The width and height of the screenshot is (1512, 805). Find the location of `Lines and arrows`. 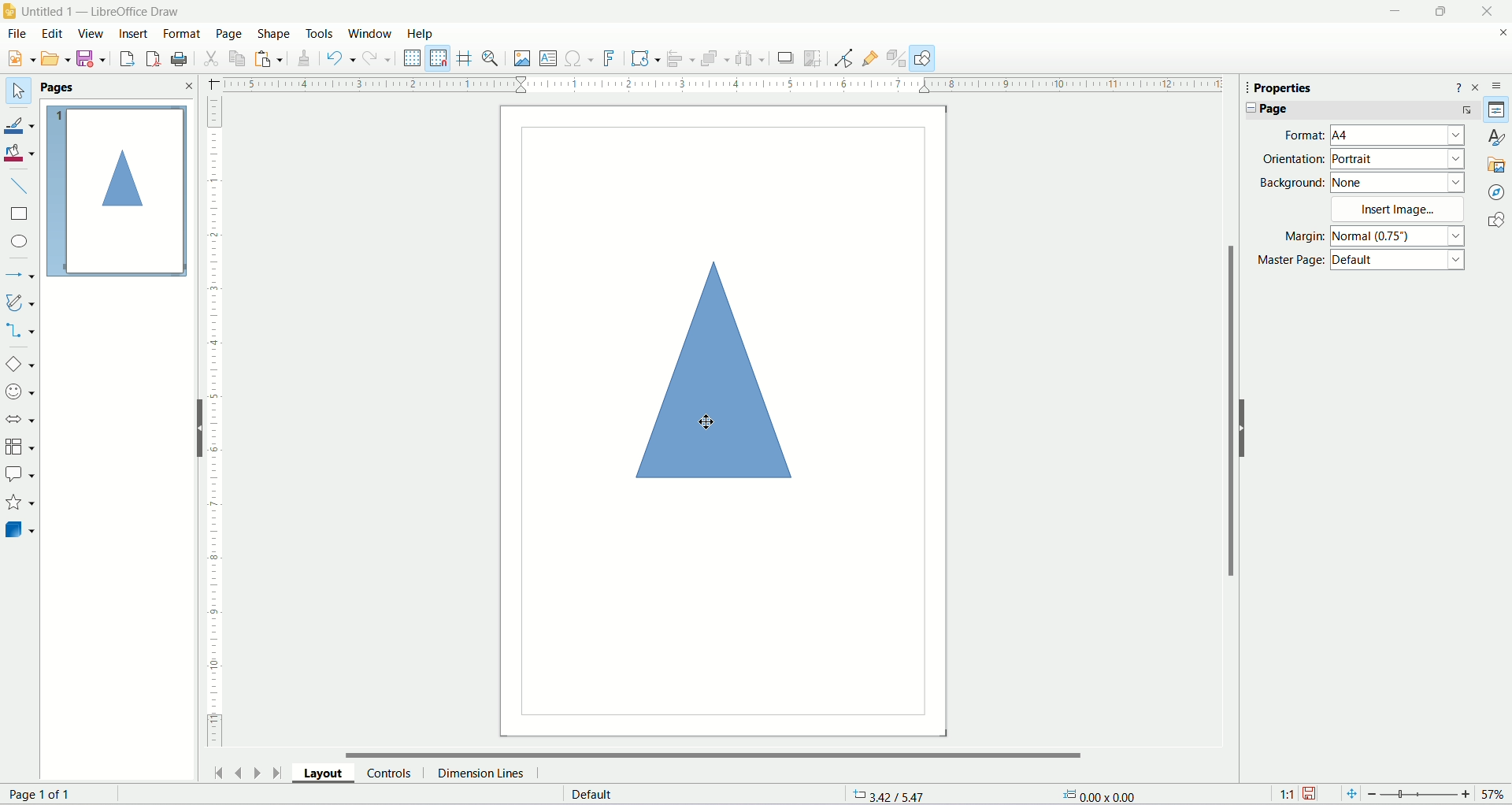

Lines and arrows is located at coordinates (20, 273).